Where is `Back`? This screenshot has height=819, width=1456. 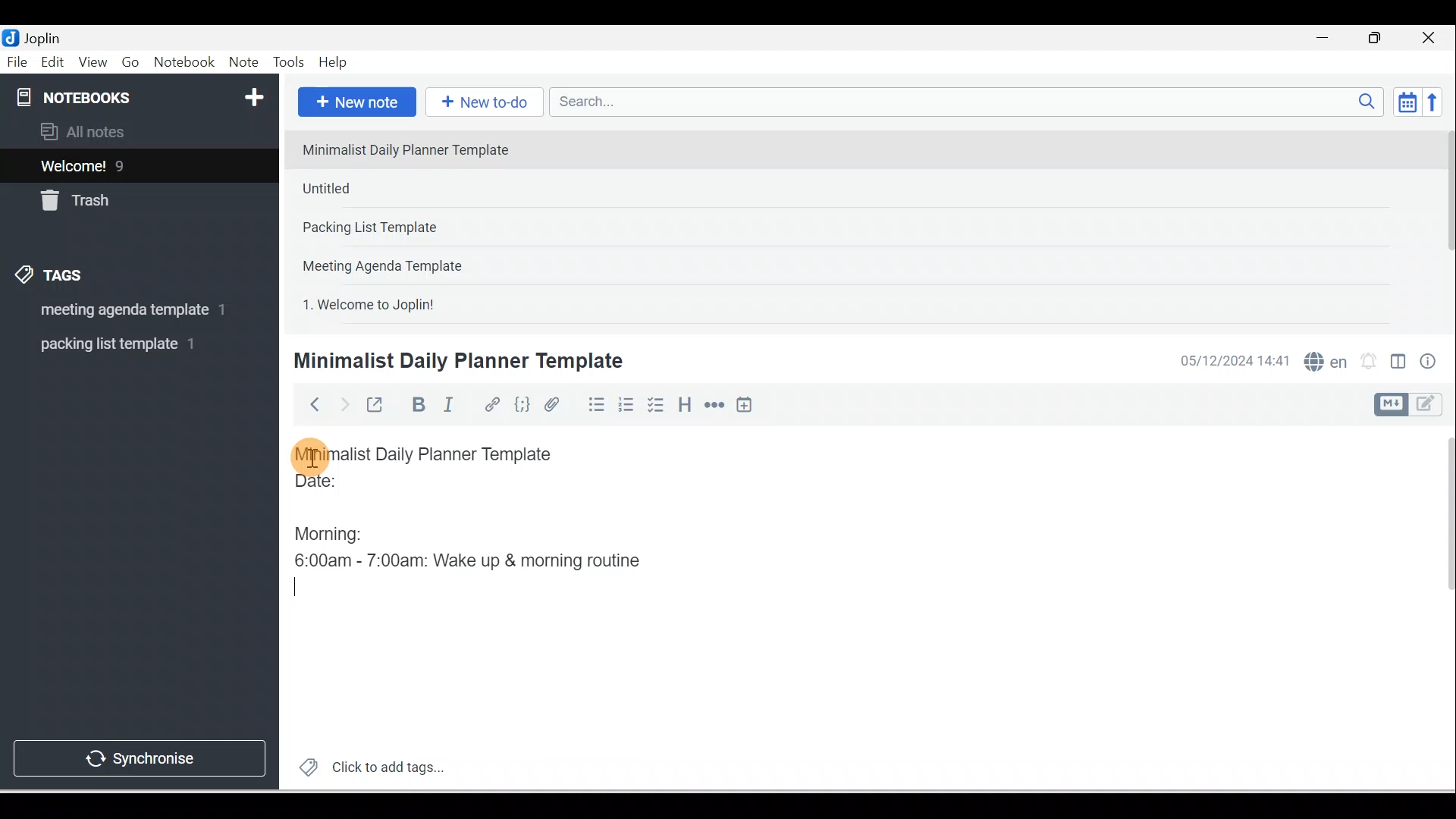 Back is located at coordinates (308, 404).